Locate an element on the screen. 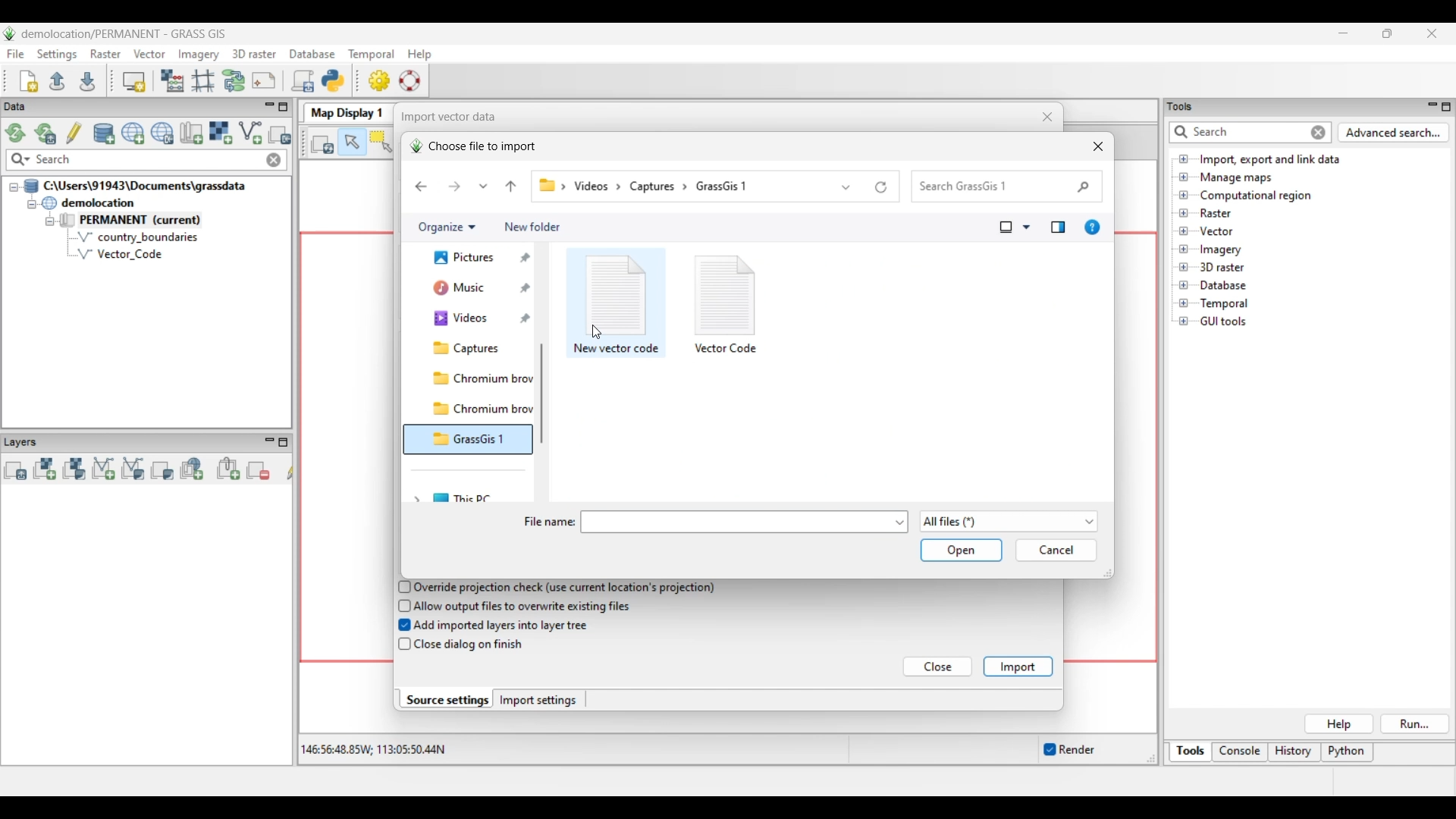  Close input made to quick search is located at coordinates (274, 160).